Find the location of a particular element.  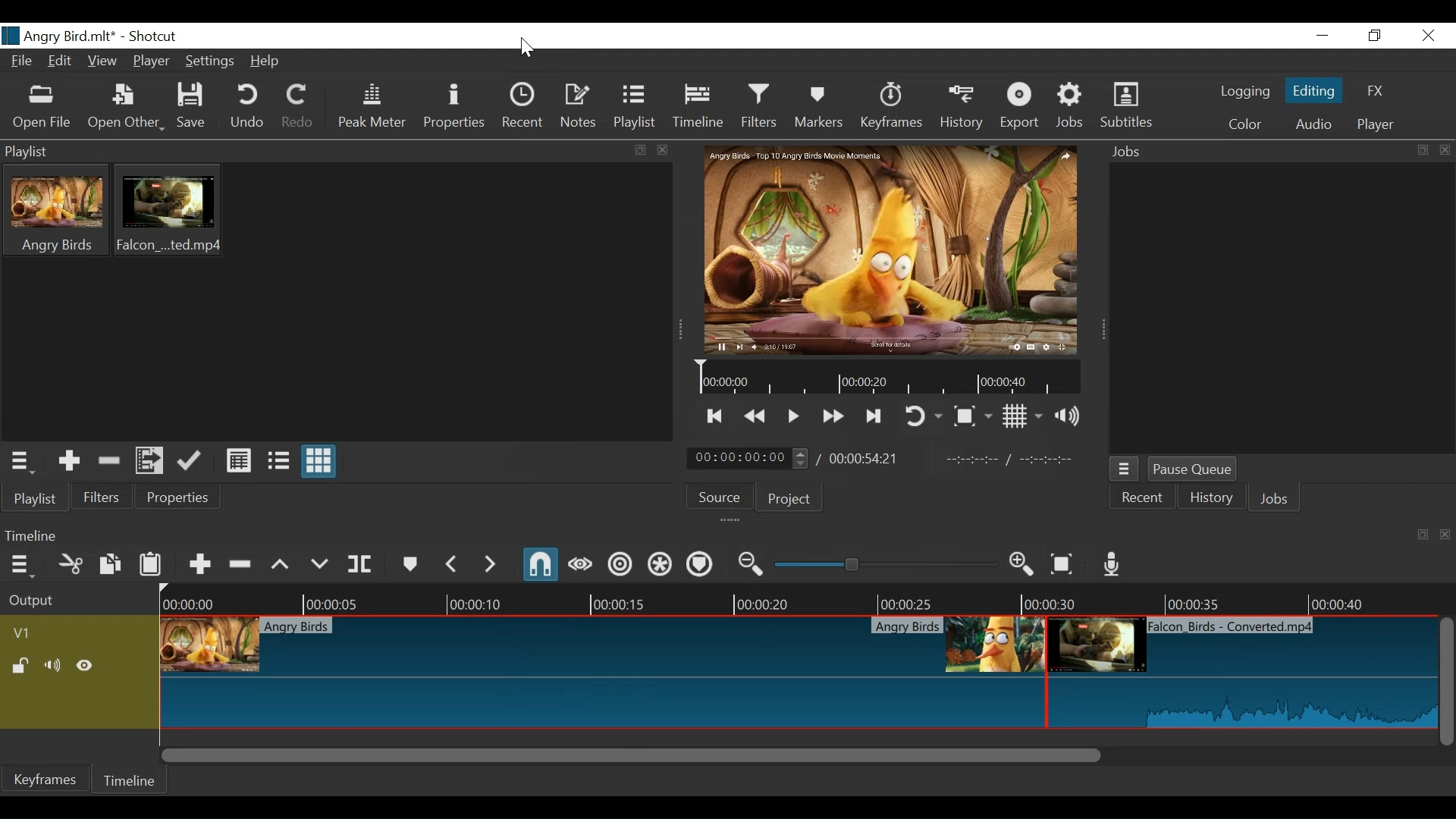

Playlist is located at coordinates (36, 497).